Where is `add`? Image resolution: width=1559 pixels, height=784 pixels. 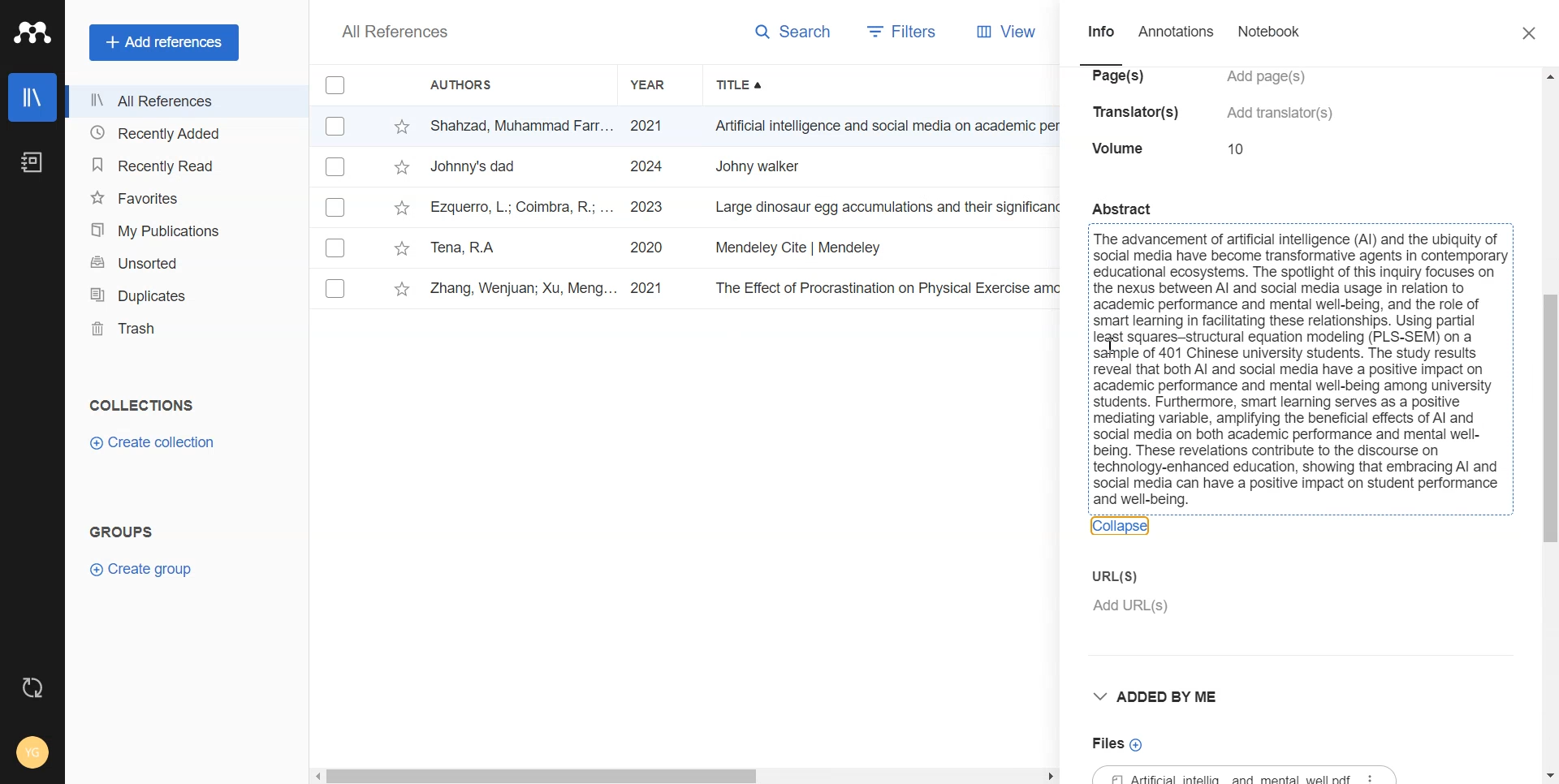 add is located at coordinates (1286, 111).